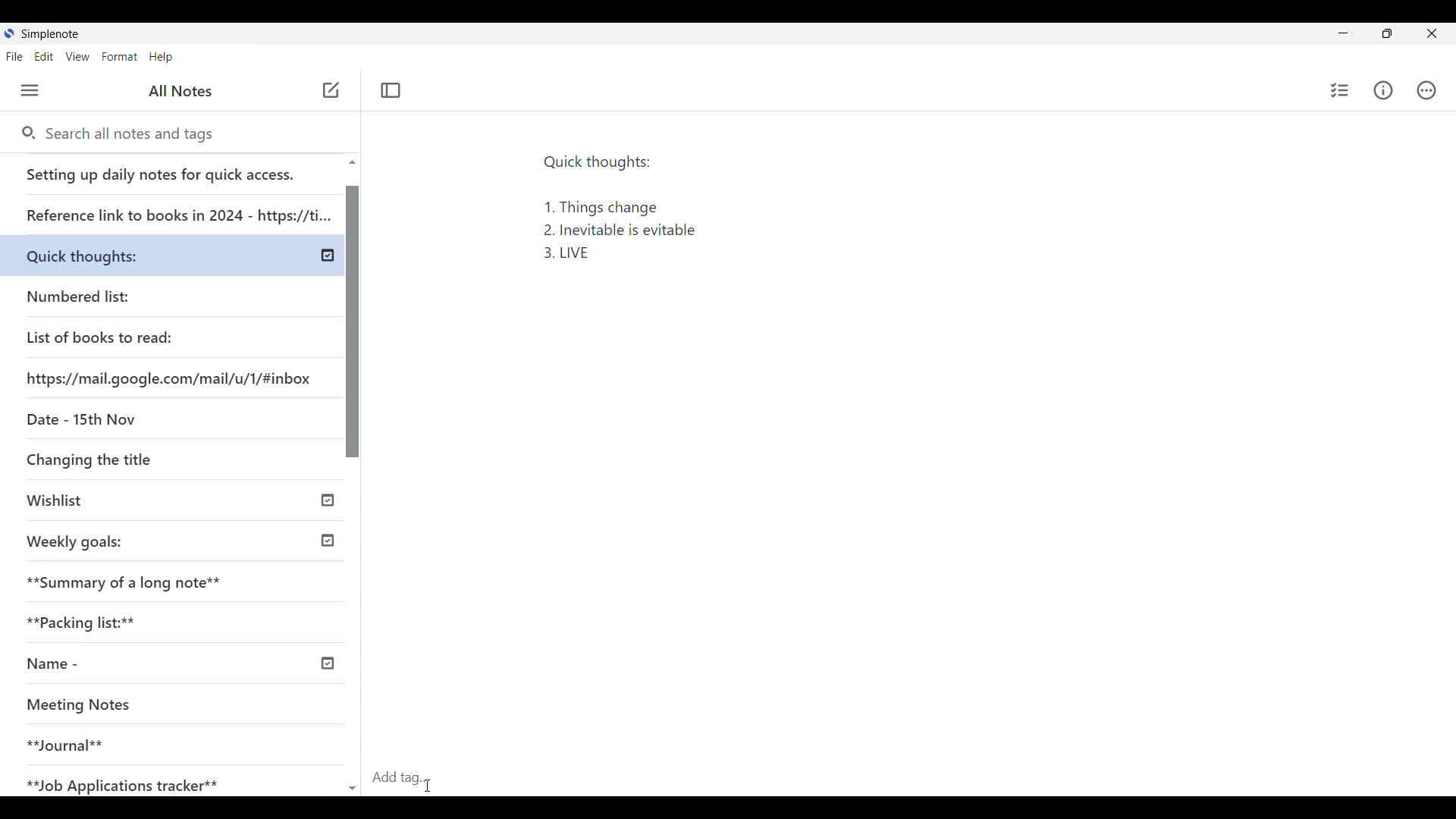 This screenshot has height=819, width=1456. What do you see at coordinates (328, 256) in the screenshot?
I see `published` at bounding box center [328, 256].